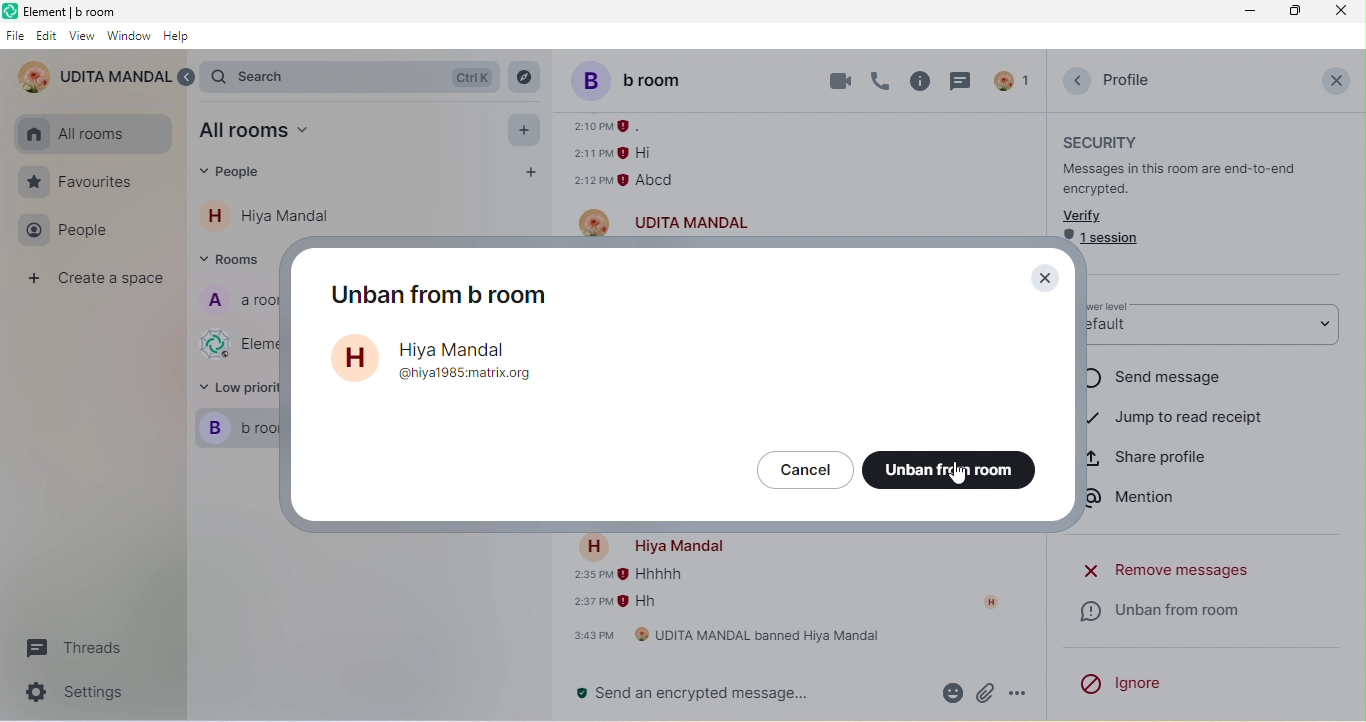 This screenshot has width=1366, height=722. What do you see at coordinates (243, 300) in the screenshot?
I see `a room` at bounding box center [243, 300].